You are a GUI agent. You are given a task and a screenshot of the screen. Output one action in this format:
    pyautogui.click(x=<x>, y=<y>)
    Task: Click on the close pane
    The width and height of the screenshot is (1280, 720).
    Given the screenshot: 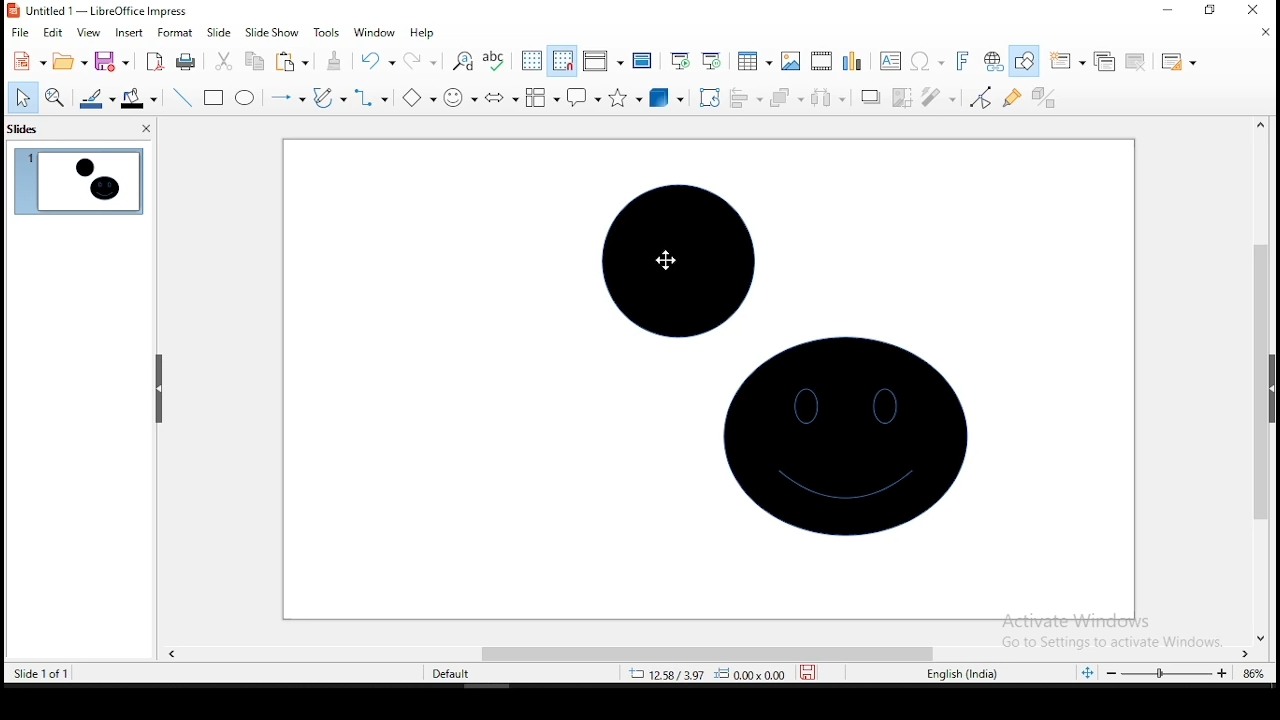 What is the action you would take?
    pyautogui.click(x=144, y=130)
    